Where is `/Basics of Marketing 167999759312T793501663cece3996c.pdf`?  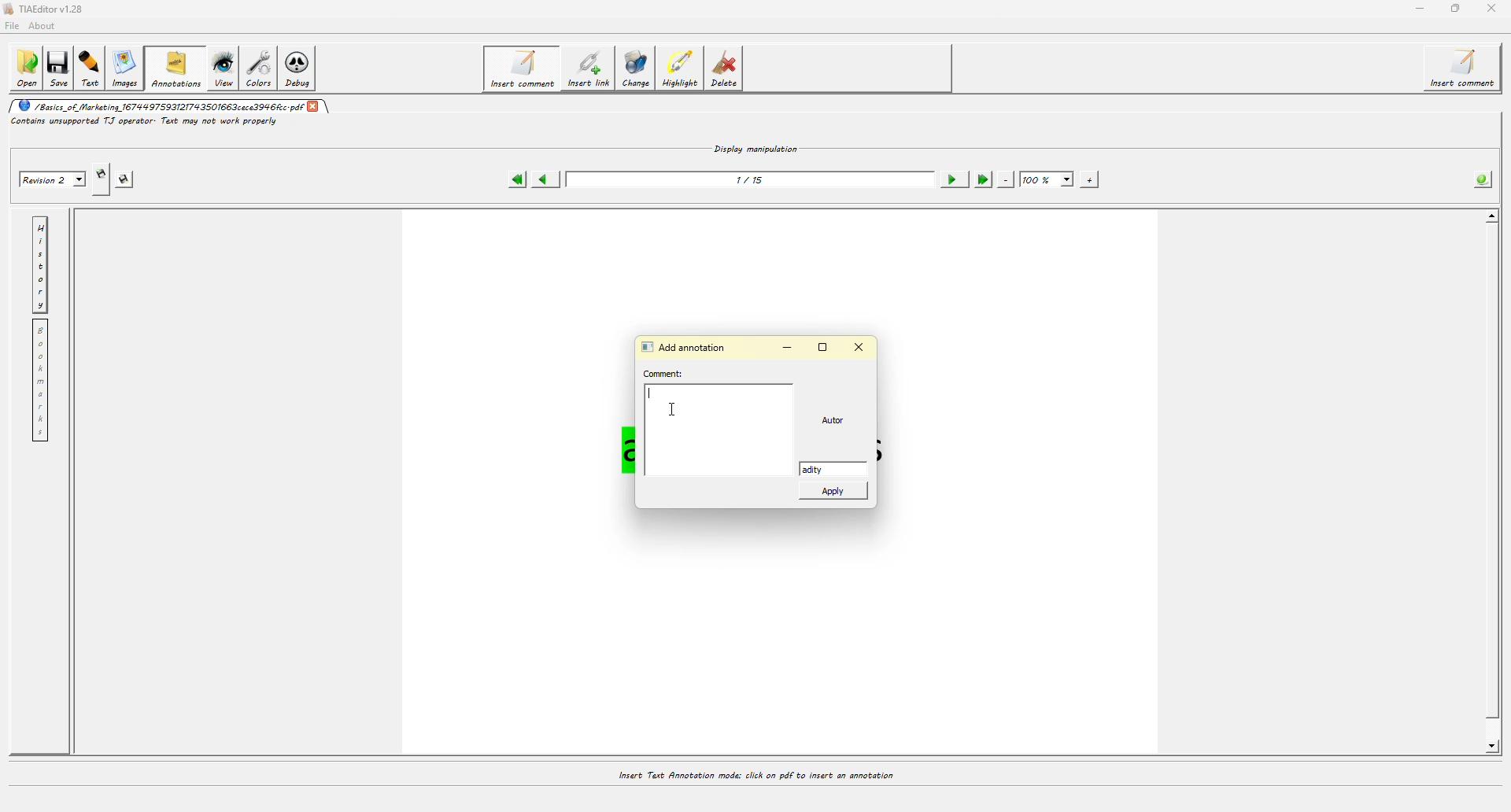
/Basics of Marketing 167999759312T793501663cece3996c.pdf is located at coordinates (158, 105).